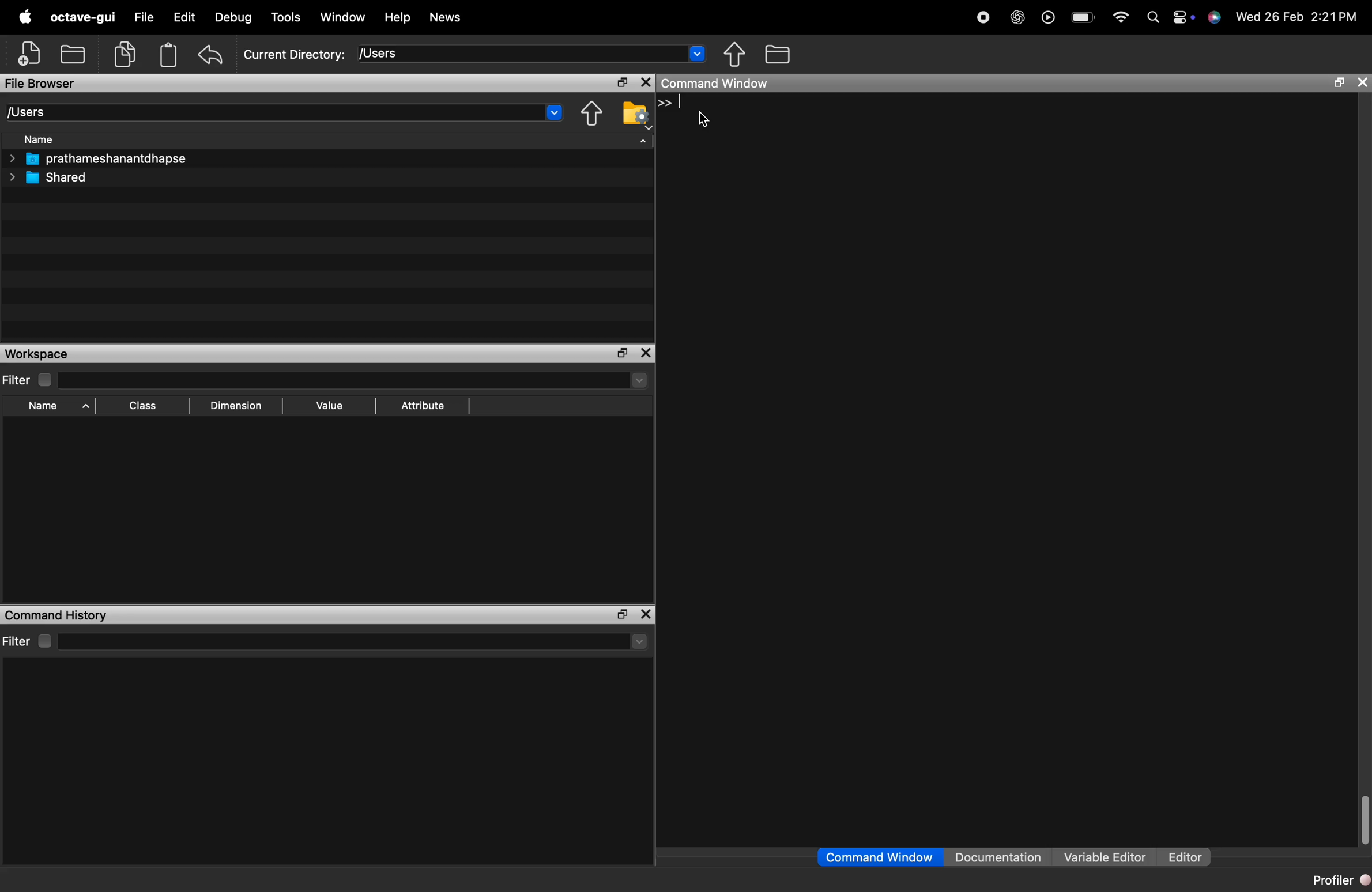 This screenshot has height=892, width=1372. Describe the element at coordinates (1362, 83) in the screenshot. I see `close` at that location.